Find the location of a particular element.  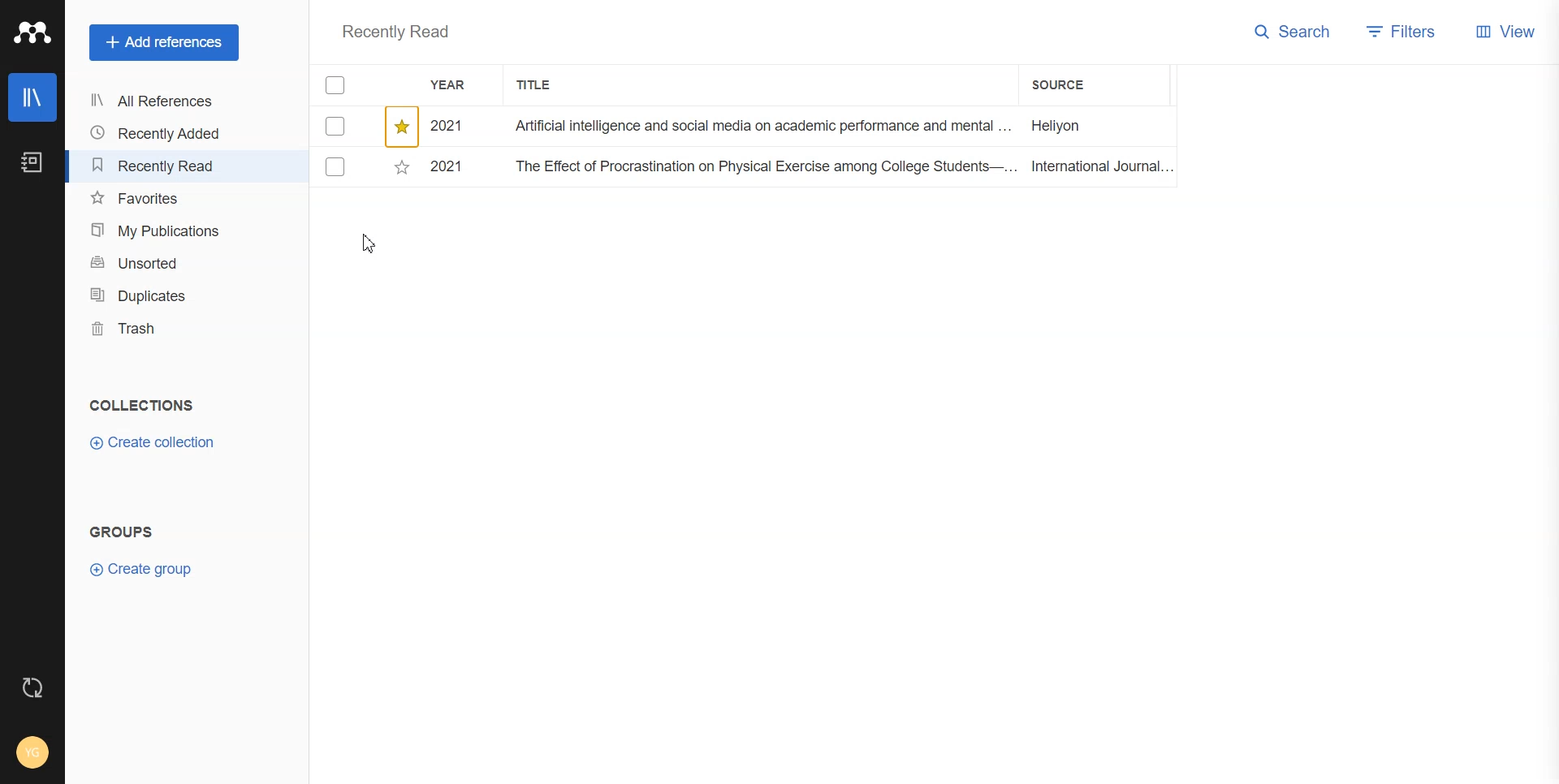

Source is located at coordinates (1073, 86).